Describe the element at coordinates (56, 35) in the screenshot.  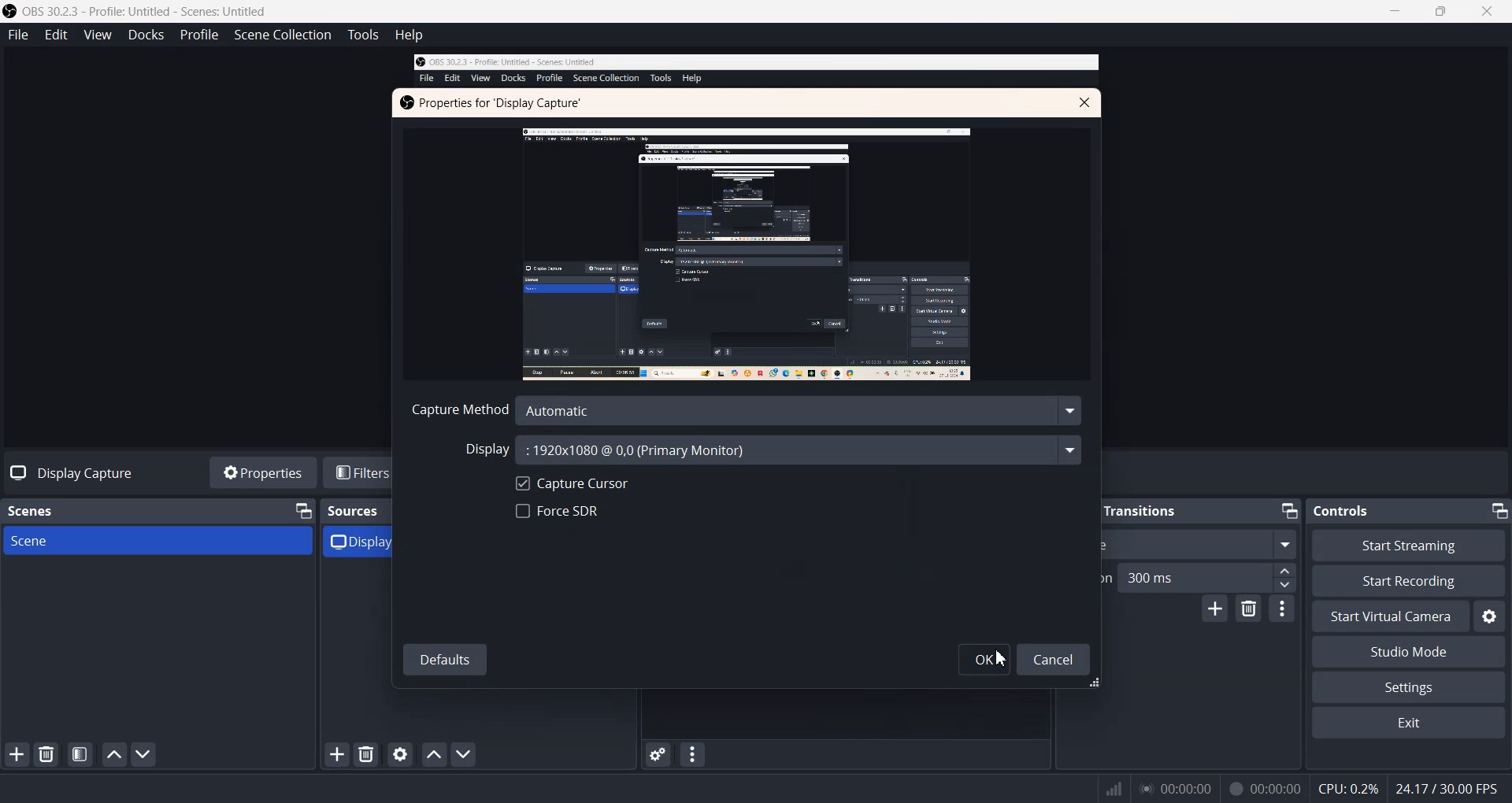
I see `Edit` at that location.